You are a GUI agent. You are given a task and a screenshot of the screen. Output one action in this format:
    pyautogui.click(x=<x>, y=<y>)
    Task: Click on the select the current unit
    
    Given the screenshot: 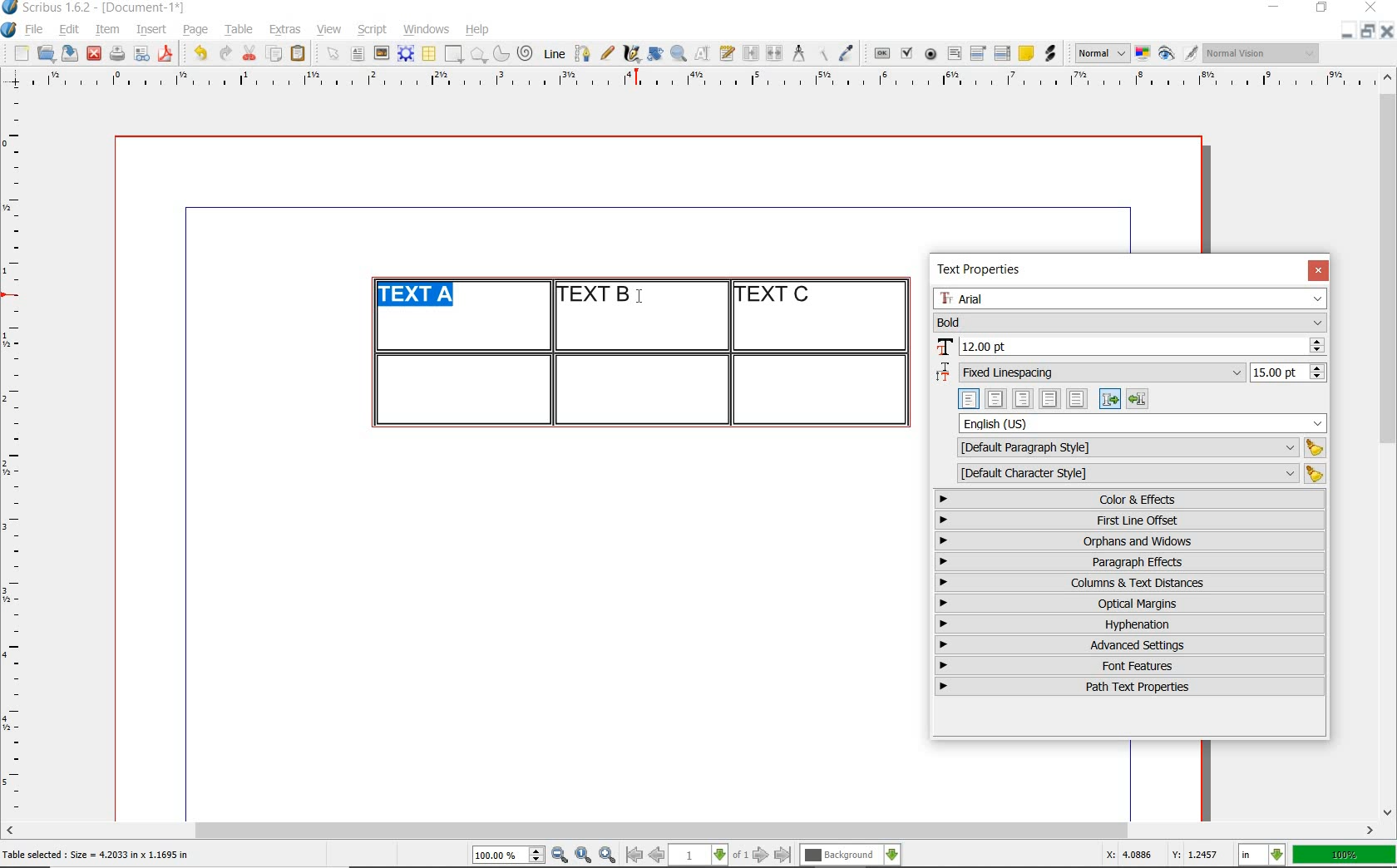 What is the action you would take?
    pyautogui.click(x=1262, y=856)
    